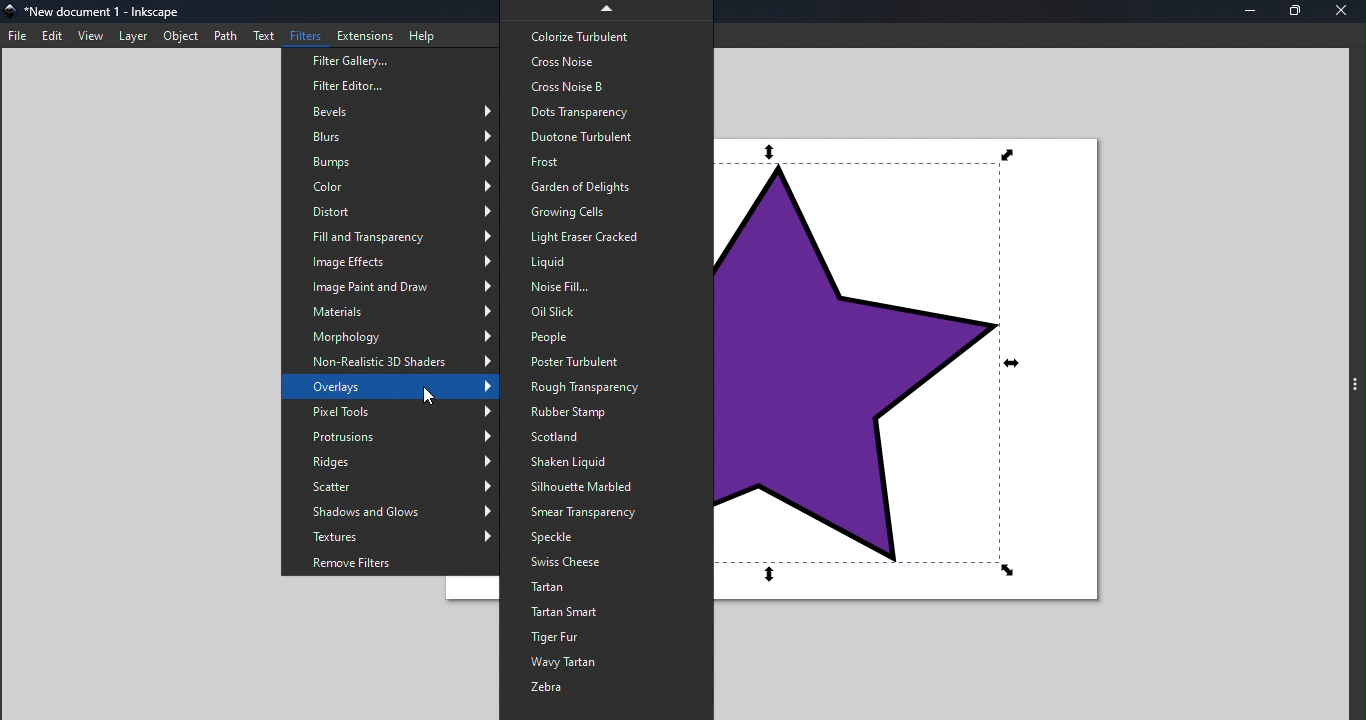  Describe the element at coordinates (599, 61) in the screenshot. I see `Cross noise` at that location.